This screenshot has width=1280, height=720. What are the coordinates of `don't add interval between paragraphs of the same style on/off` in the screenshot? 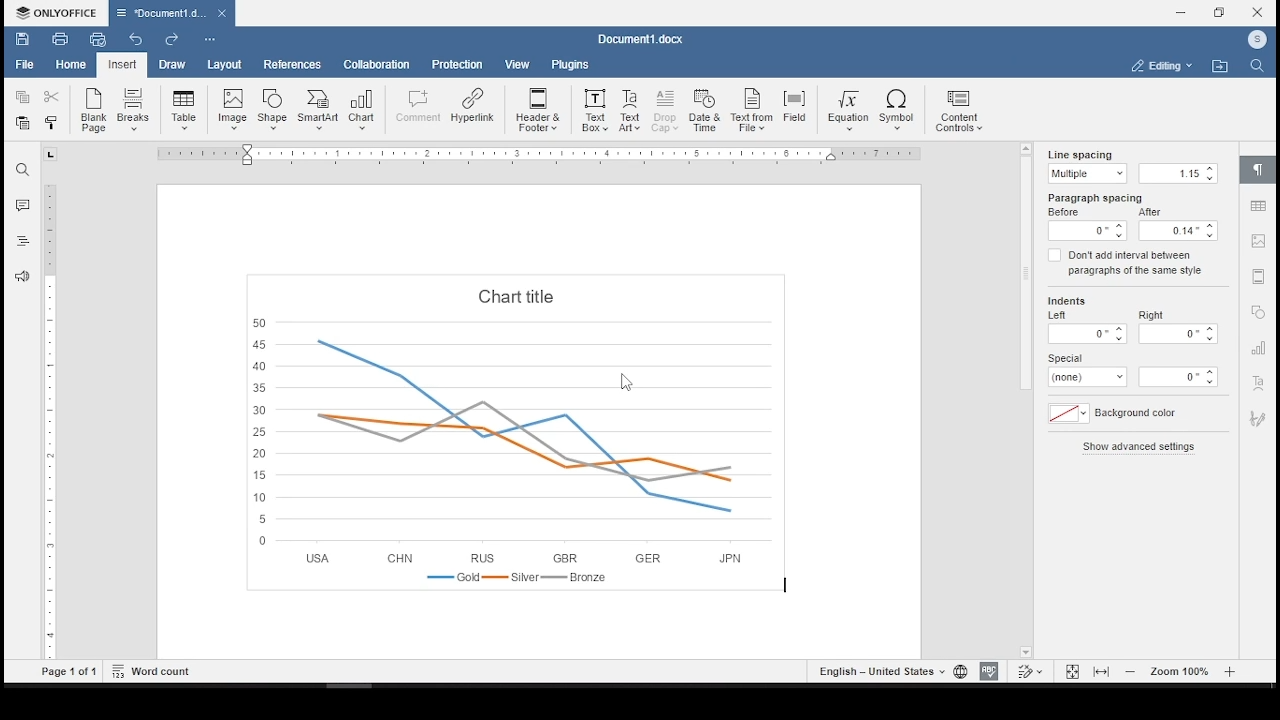 It's located at (1127, 263).